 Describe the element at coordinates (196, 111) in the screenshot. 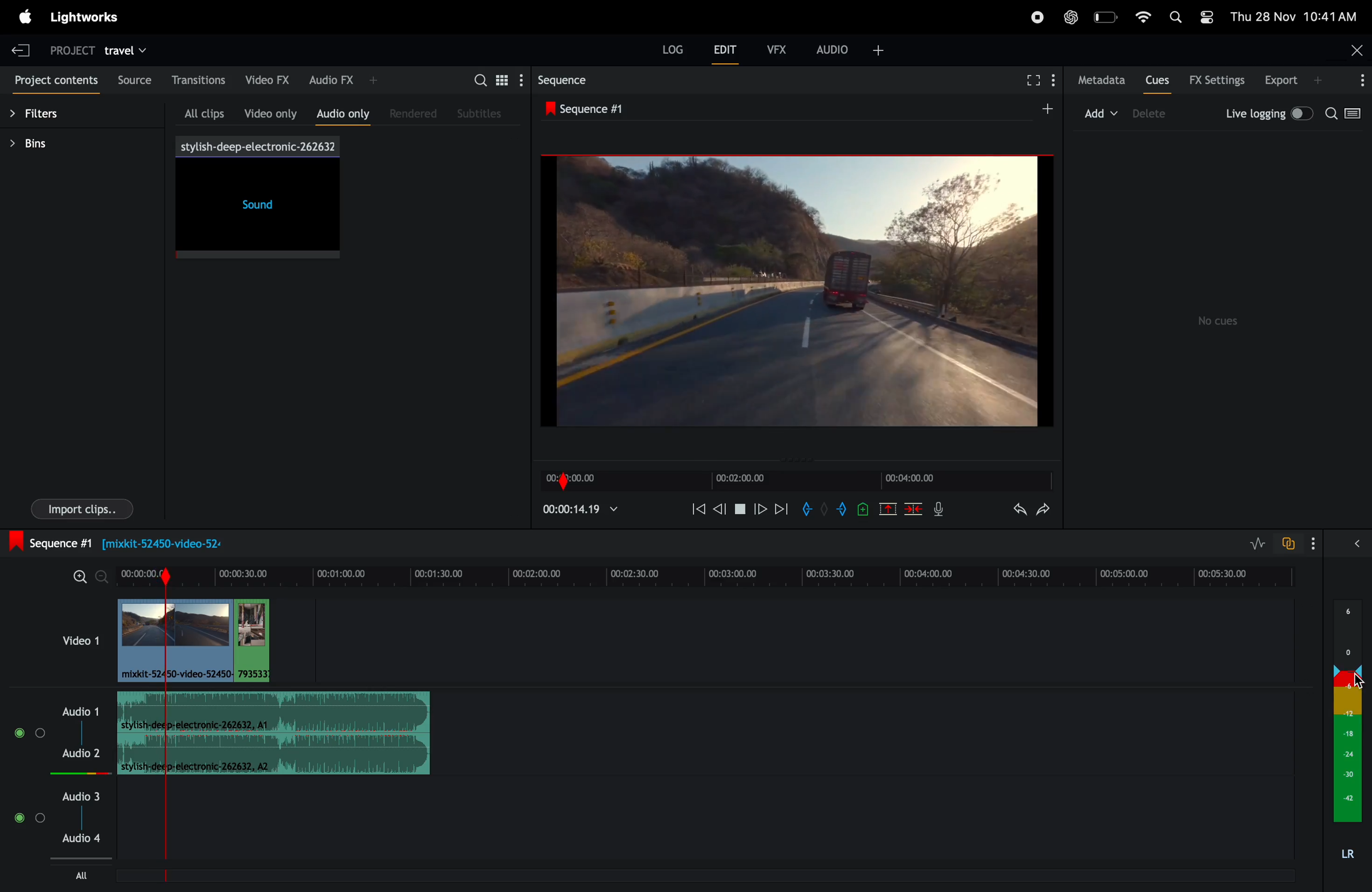

I see `all clips` at that location.